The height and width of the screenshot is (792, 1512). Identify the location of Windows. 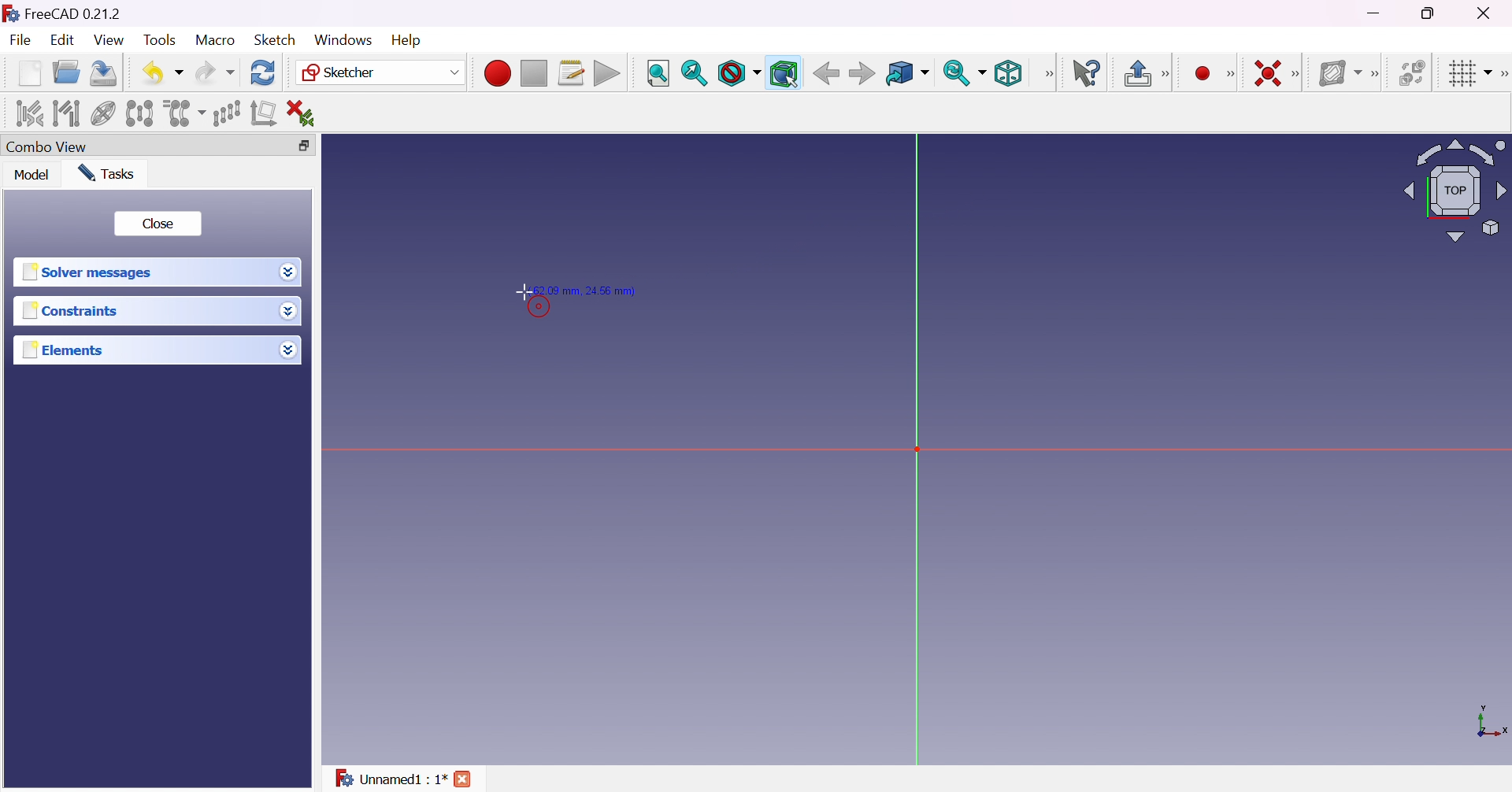
(342, 39).